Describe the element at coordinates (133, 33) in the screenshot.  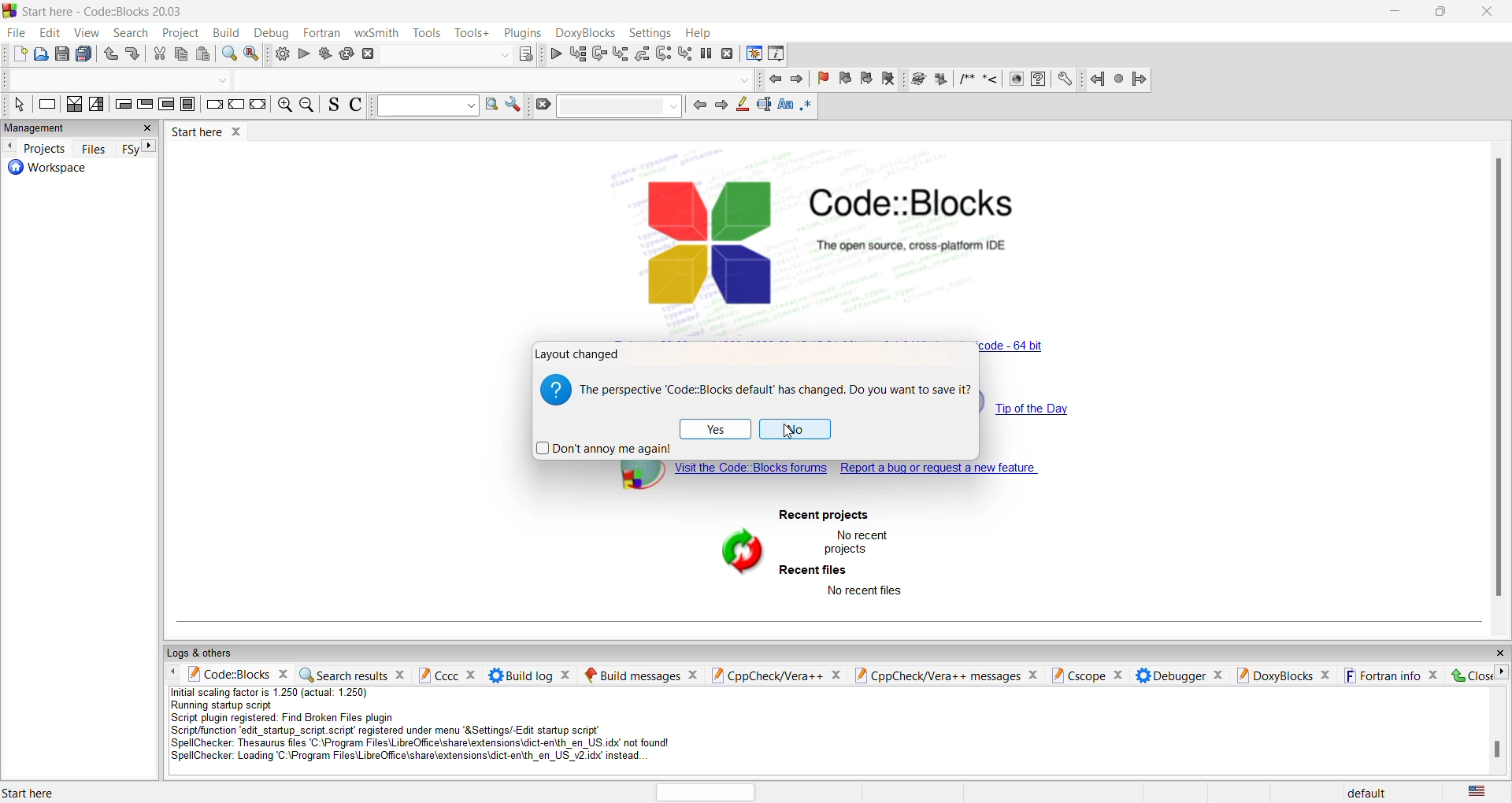
I see `search` at that location.